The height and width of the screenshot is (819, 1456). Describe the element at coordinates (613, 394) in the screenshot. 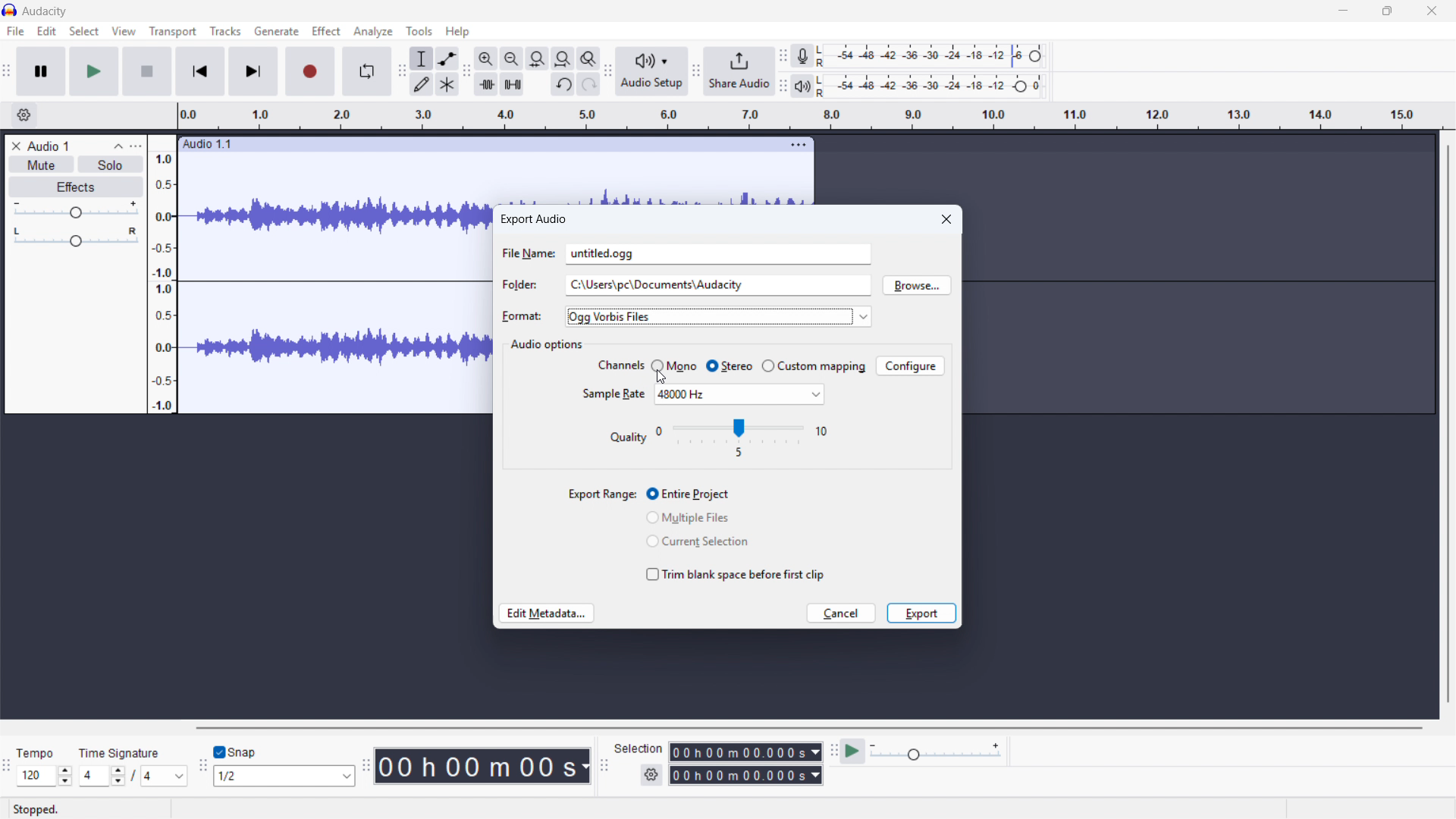

I see `sample rate` at that location.